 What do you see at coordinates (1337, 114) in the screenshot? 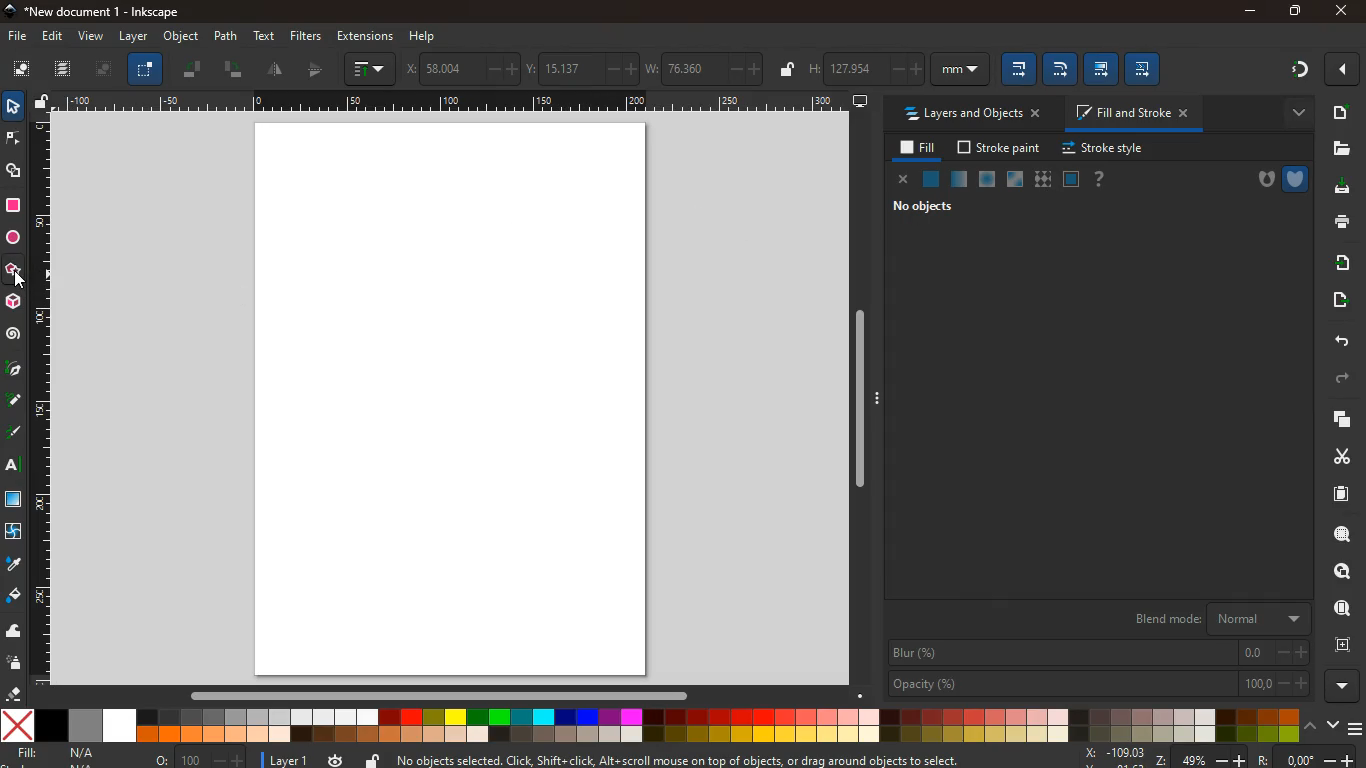
I see `new` at bounding box center [1337, 114].